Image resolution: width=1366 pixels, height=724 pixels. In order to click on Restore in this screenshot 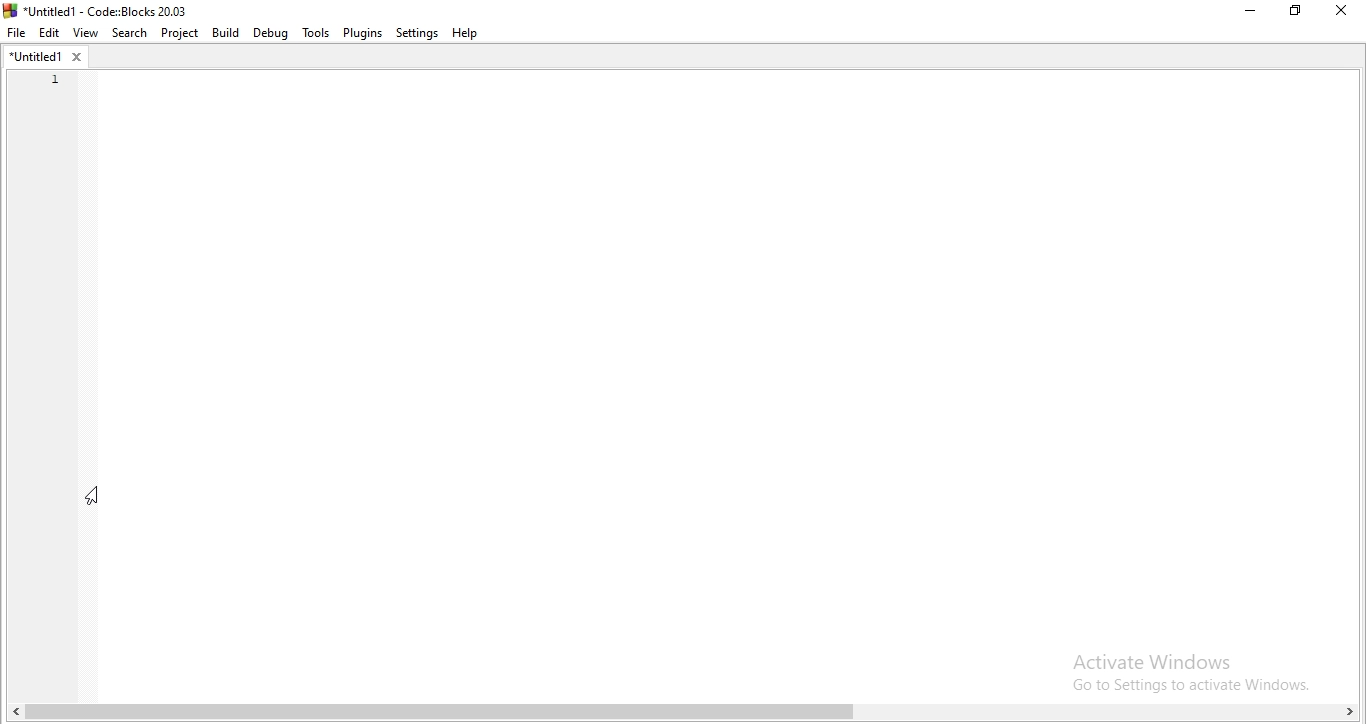, I will do `click(1294, 12)`.